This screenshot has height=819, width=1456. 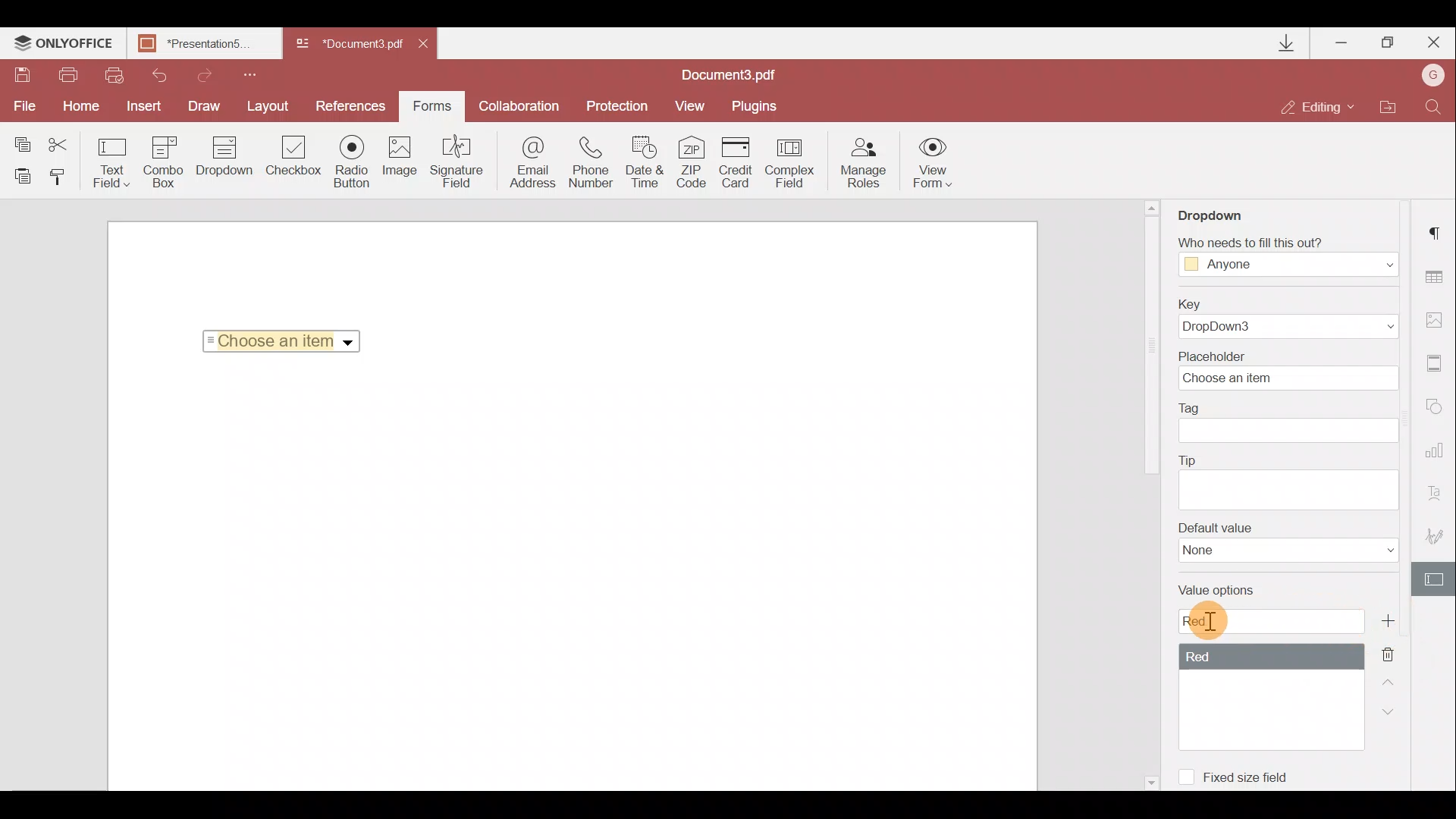 I want to click on Account name, so click(x=1433, y=74).